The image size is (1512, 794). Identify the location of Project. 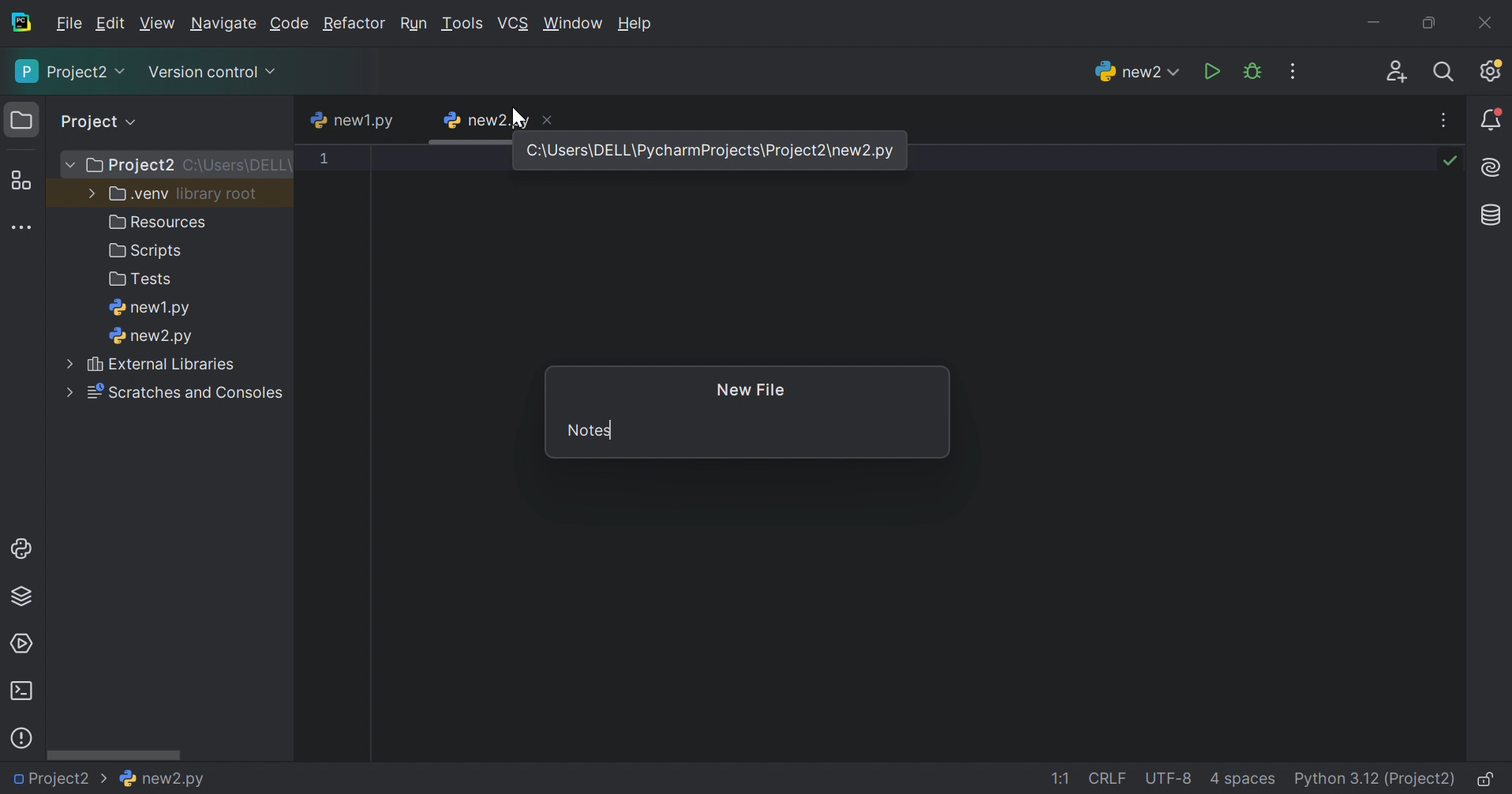
(91, 121).